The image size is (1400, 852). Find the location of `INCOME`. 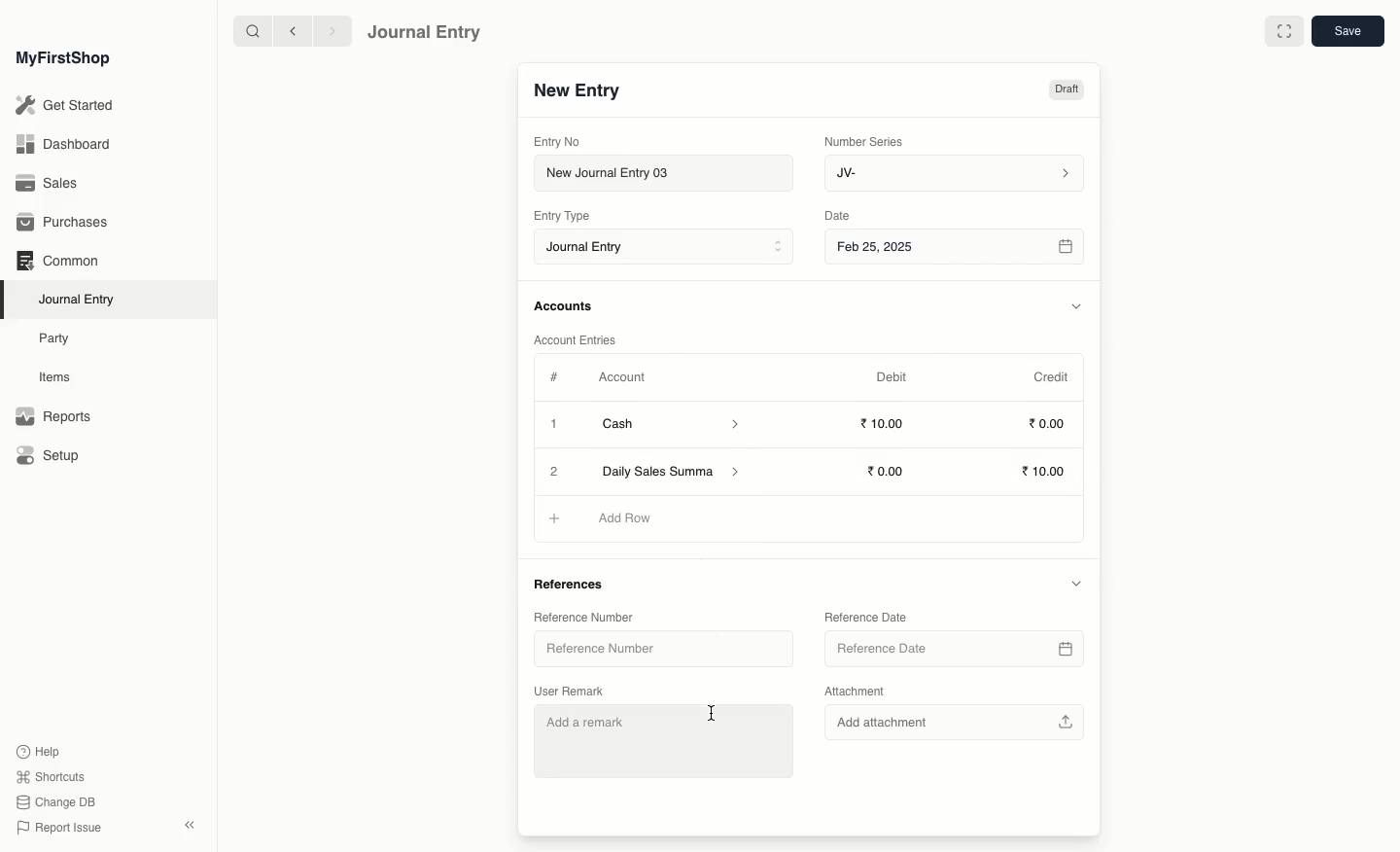

INCOME is located at coordinates (634, 518).